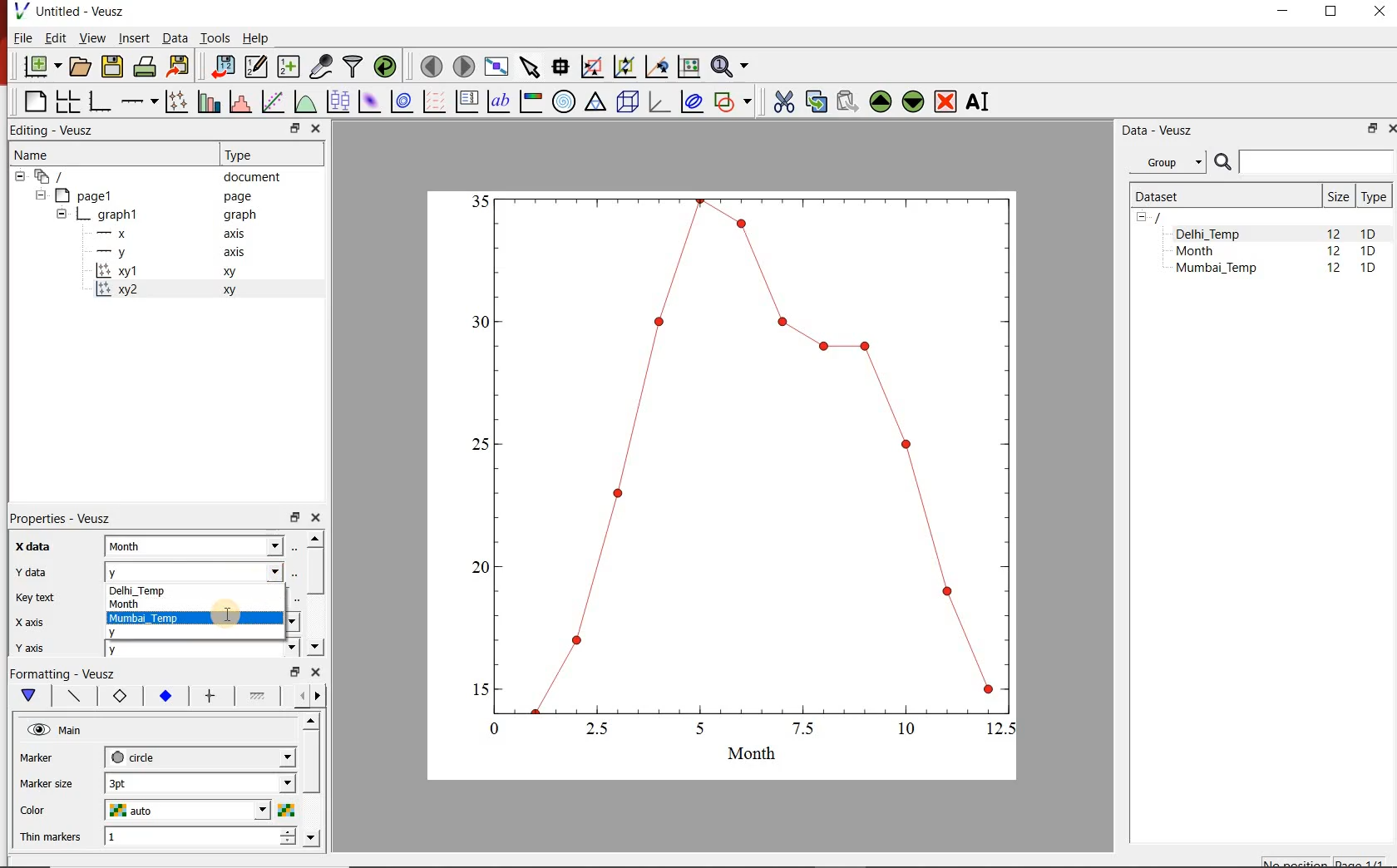  What do you see at coordinates (1331, 12) in the screenshot?
I see `RESTORE` at bounding box center [1331, 12].